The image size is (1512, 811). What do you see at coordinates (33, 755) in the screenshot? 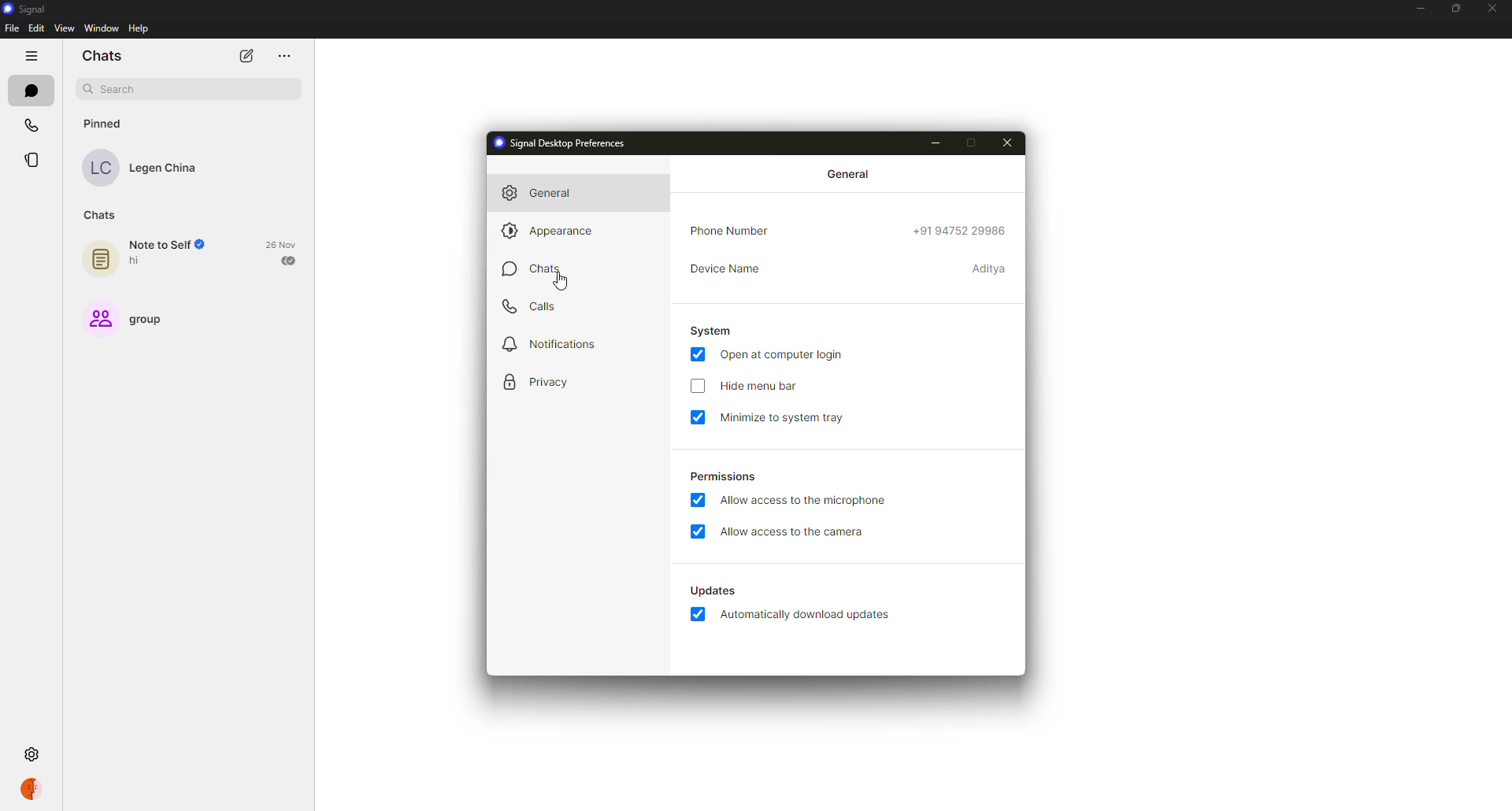
I see `settings` at bounding box center [33, 755].